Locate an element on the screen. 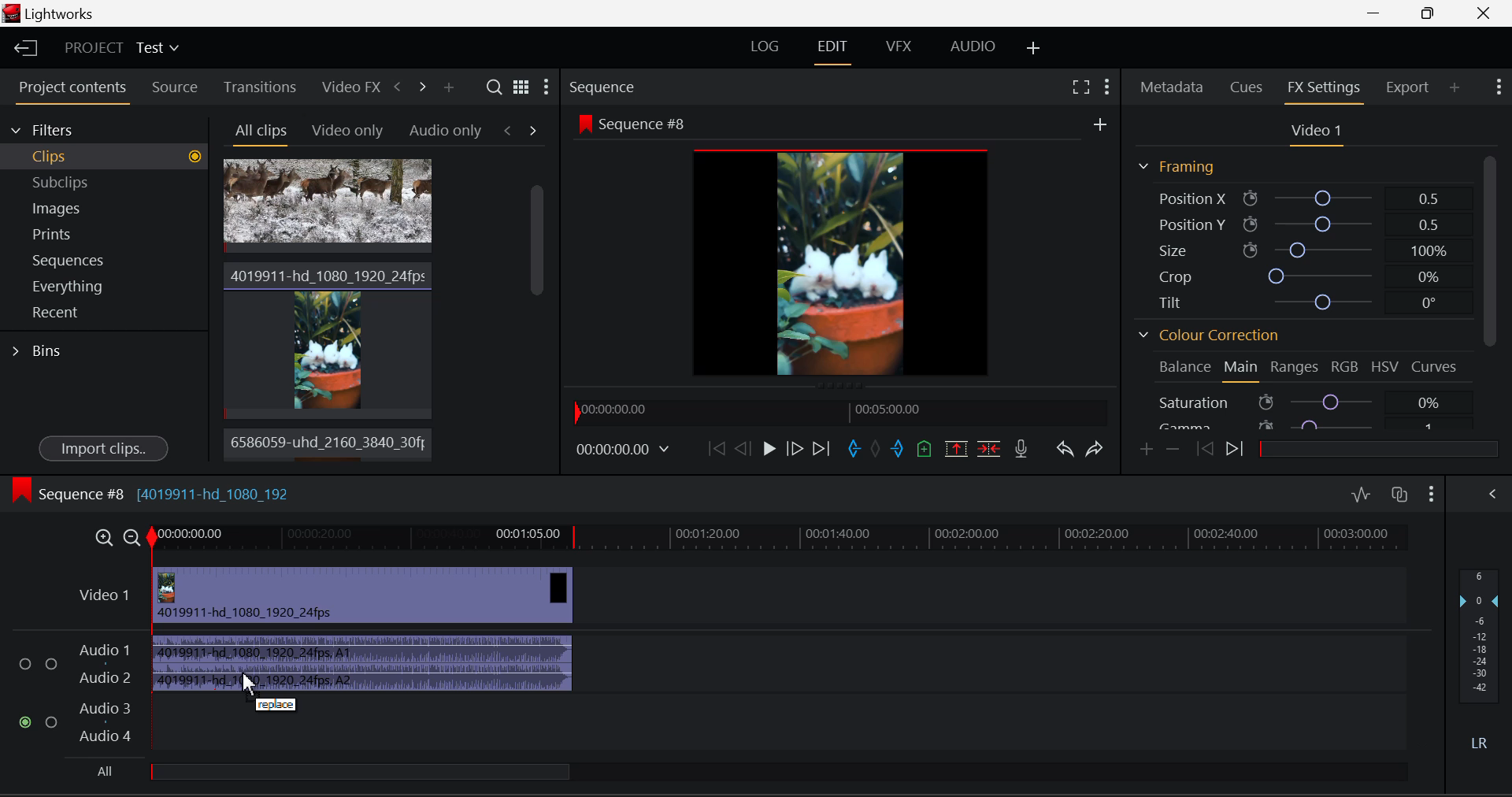  Sequences is located at coordinates (106, 259).